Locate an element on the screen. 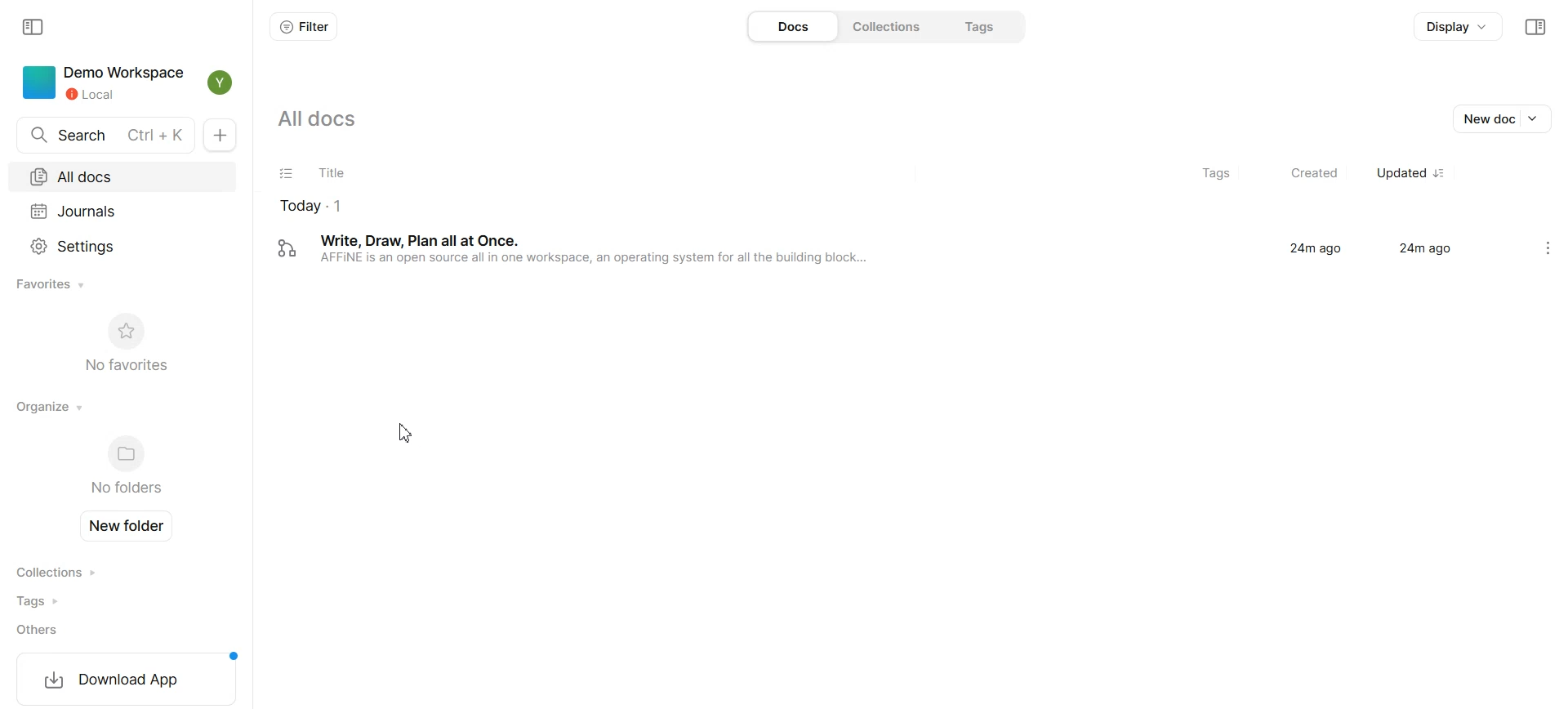 This screenshot has height=709, width=1568. Search Doc is located at coordinates (100, 135).